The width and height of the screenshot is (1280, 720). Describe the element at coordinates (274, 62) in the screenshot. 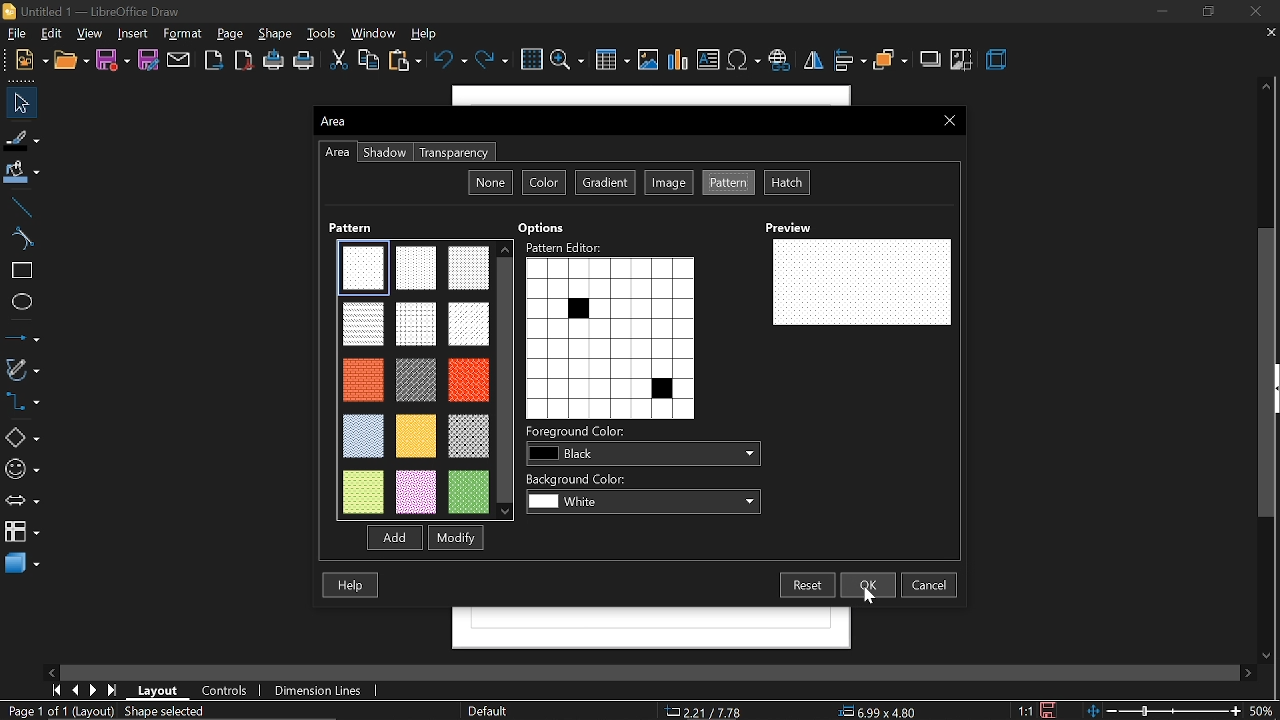

I see `print directly` at that location.